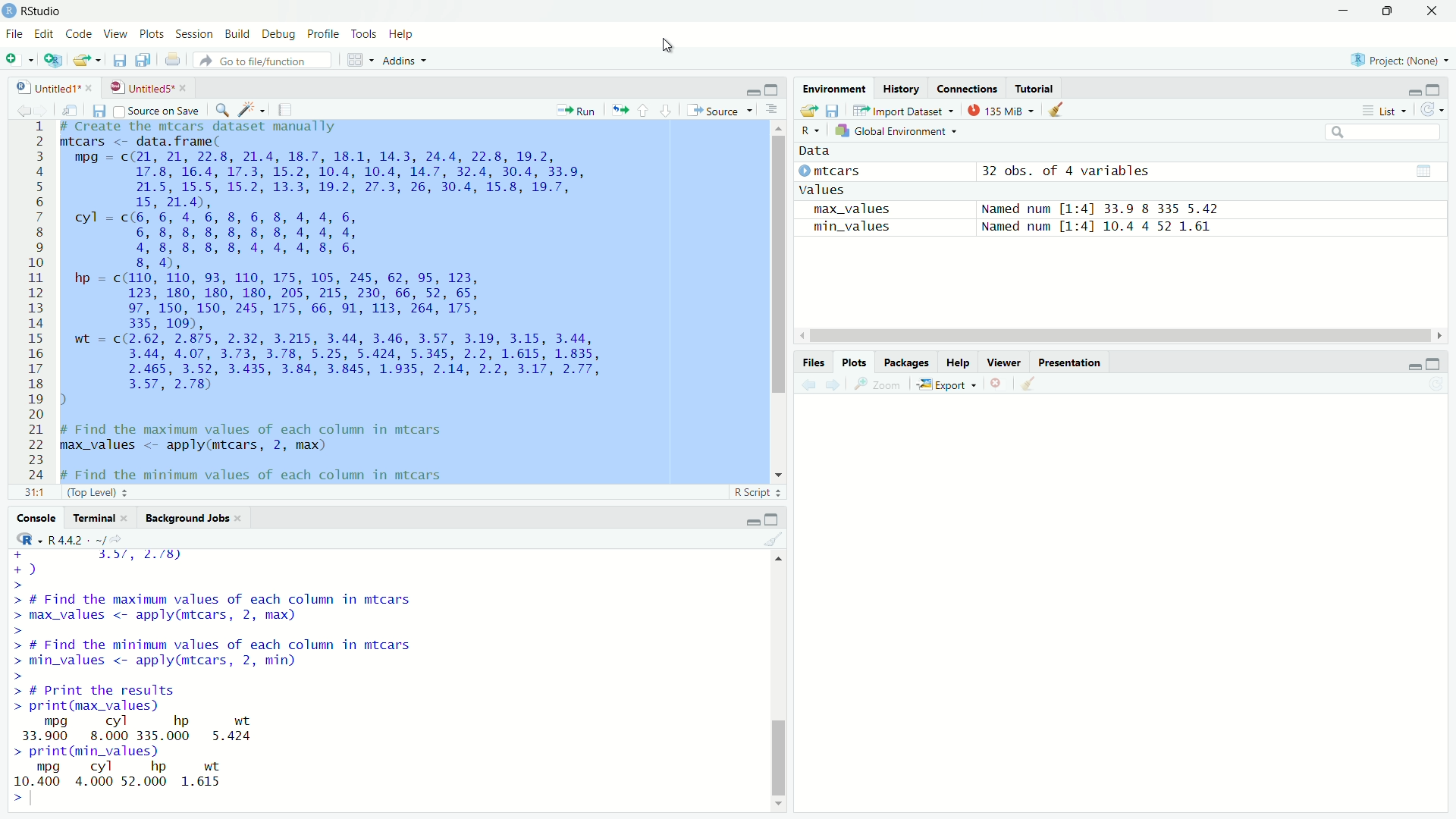 This screenshot has width=1456, height=819. I want to click on maximise, so click(1432, 361).